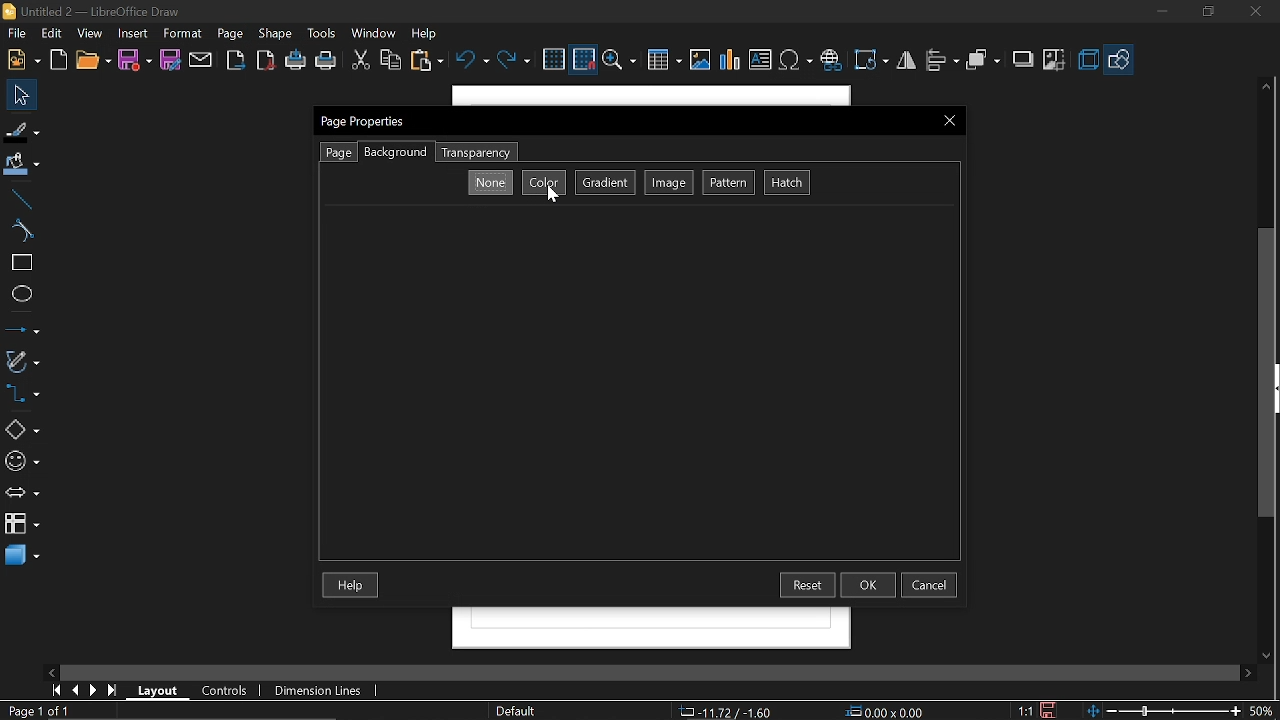 Image resolution: width=1280 pixels, height=720 pixels. What do you see at coordinates (365, 122) in the screenshot?
I see `Current window` at bounding box center [365, 122].